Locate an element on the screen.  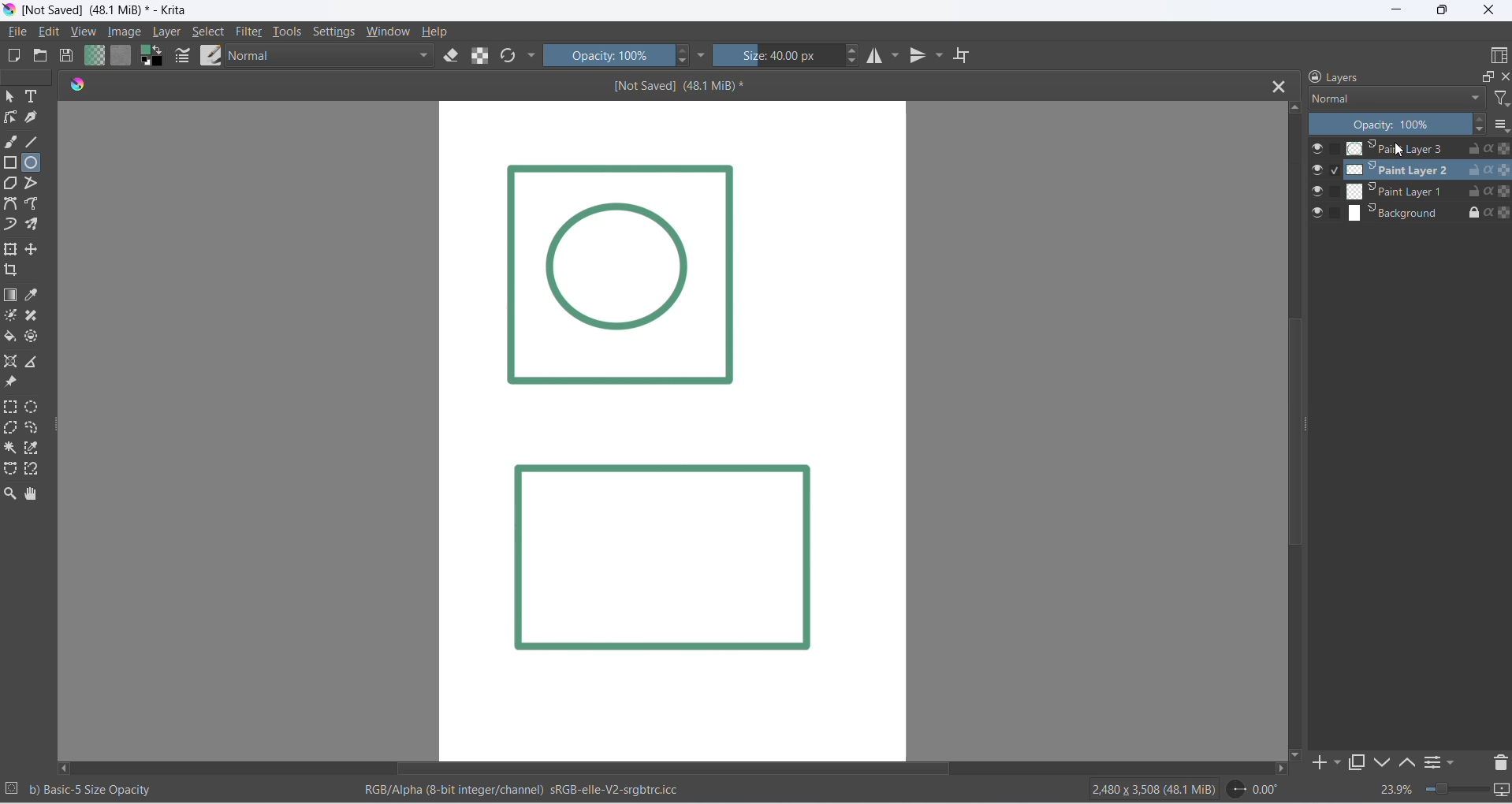
edit shapes tool is located at coordinates (10, 120).